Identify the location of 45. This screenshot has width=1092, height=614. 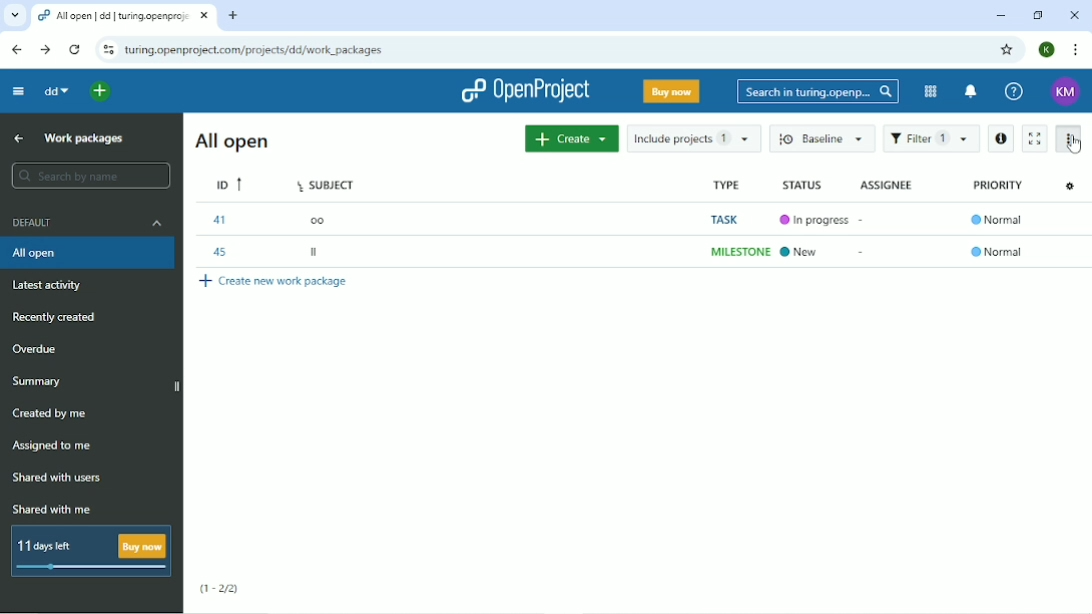
(220, 251).